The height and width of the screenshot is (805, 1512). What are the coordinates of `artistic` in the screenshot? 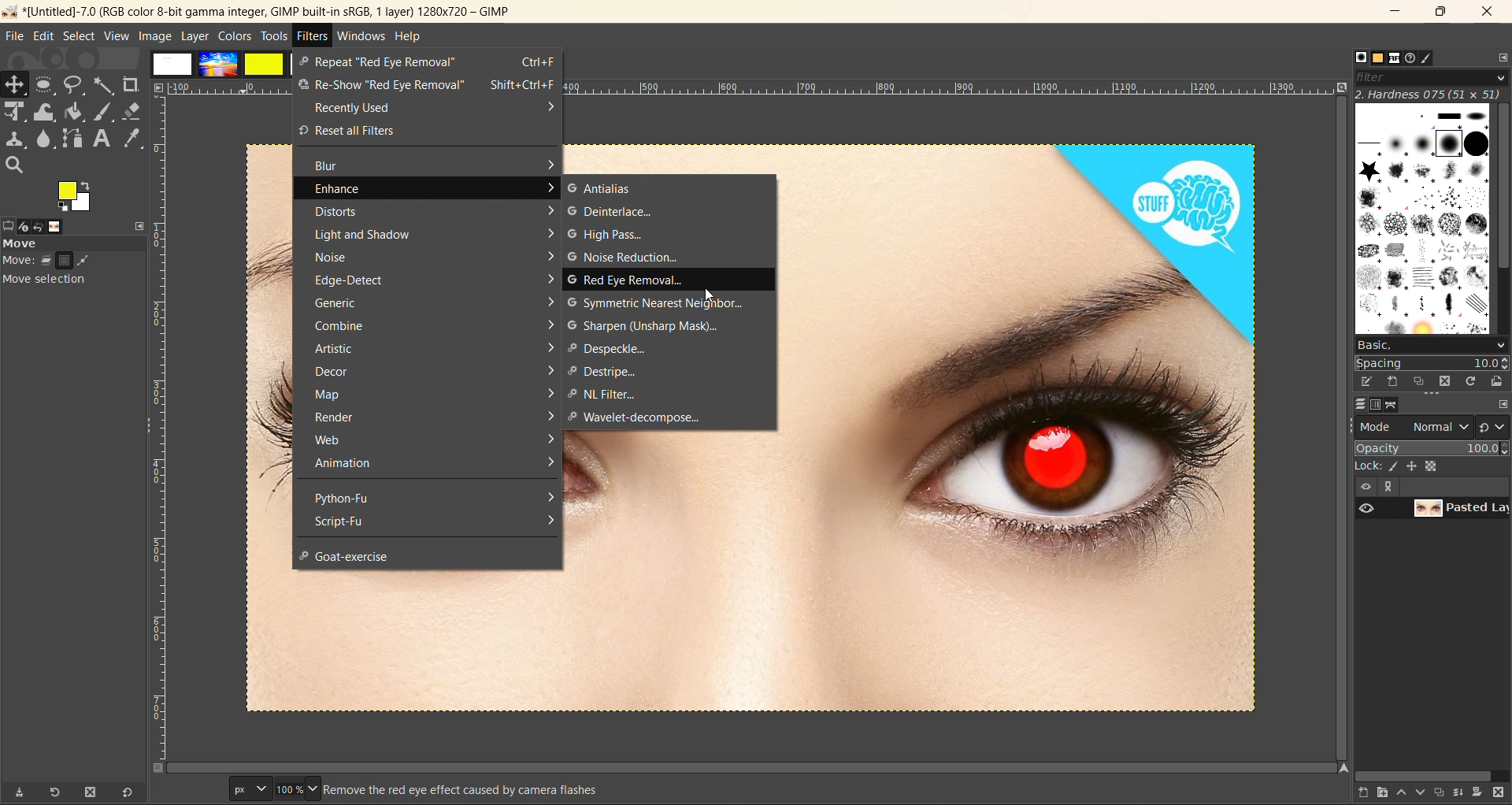 It's located at (431, 350).